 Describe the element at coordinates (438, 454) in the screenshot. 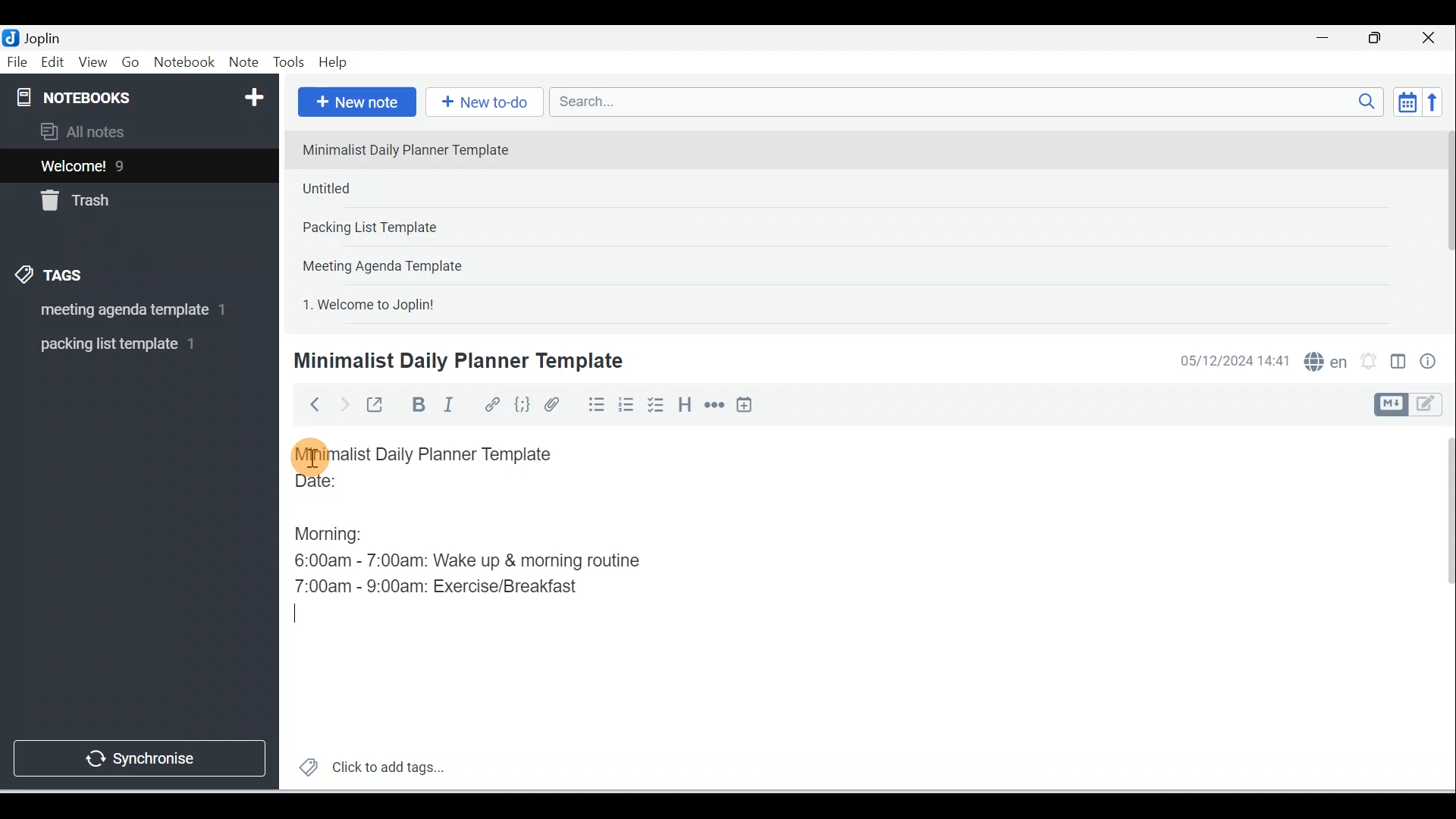

I see `Minimalist Daily Planner Template` at that location.